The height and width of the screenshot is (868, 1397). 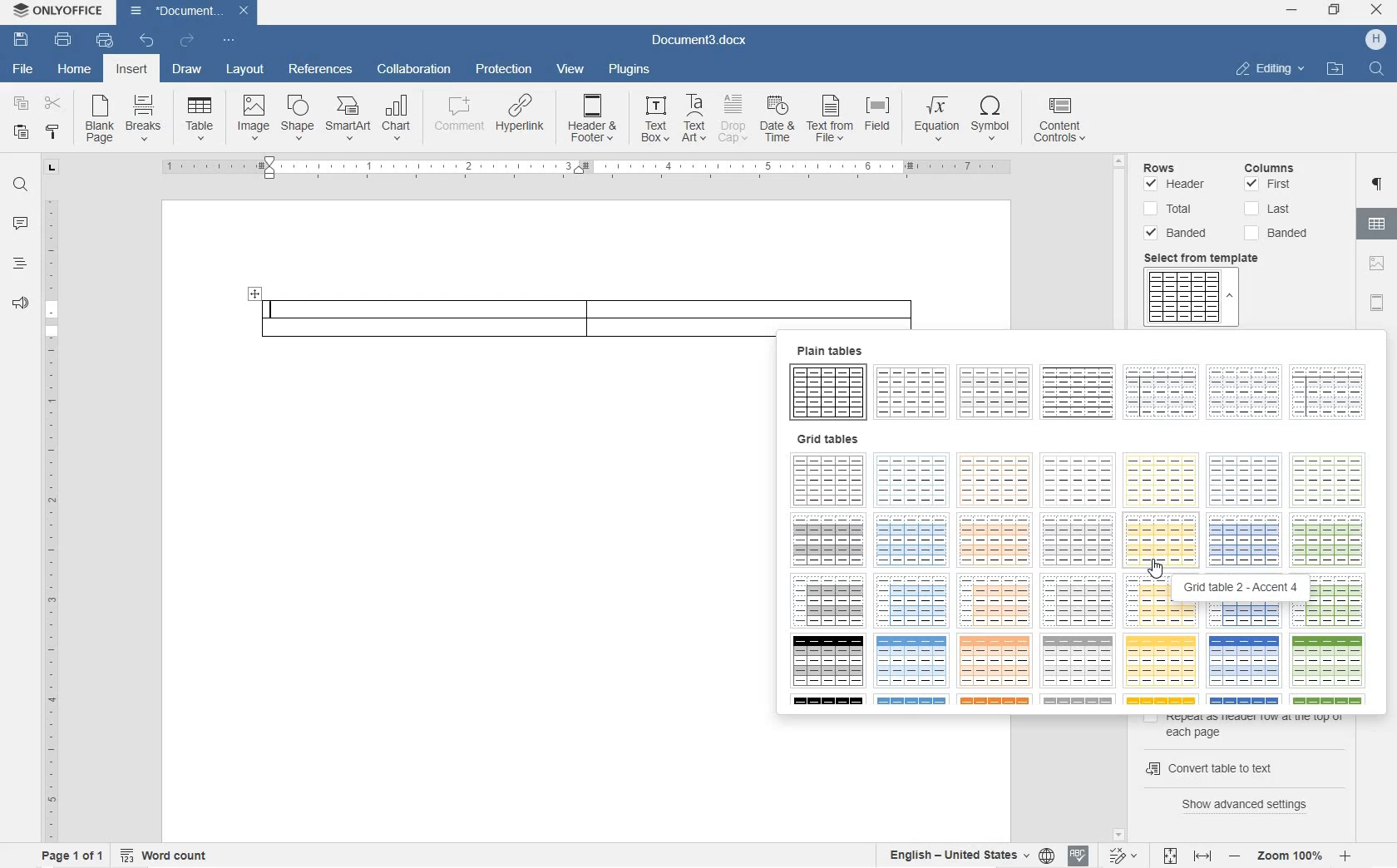 What do you see at coordinates (1179, 234) in the screenshot?
I see `Banded` at bounding box center [1179, 234].